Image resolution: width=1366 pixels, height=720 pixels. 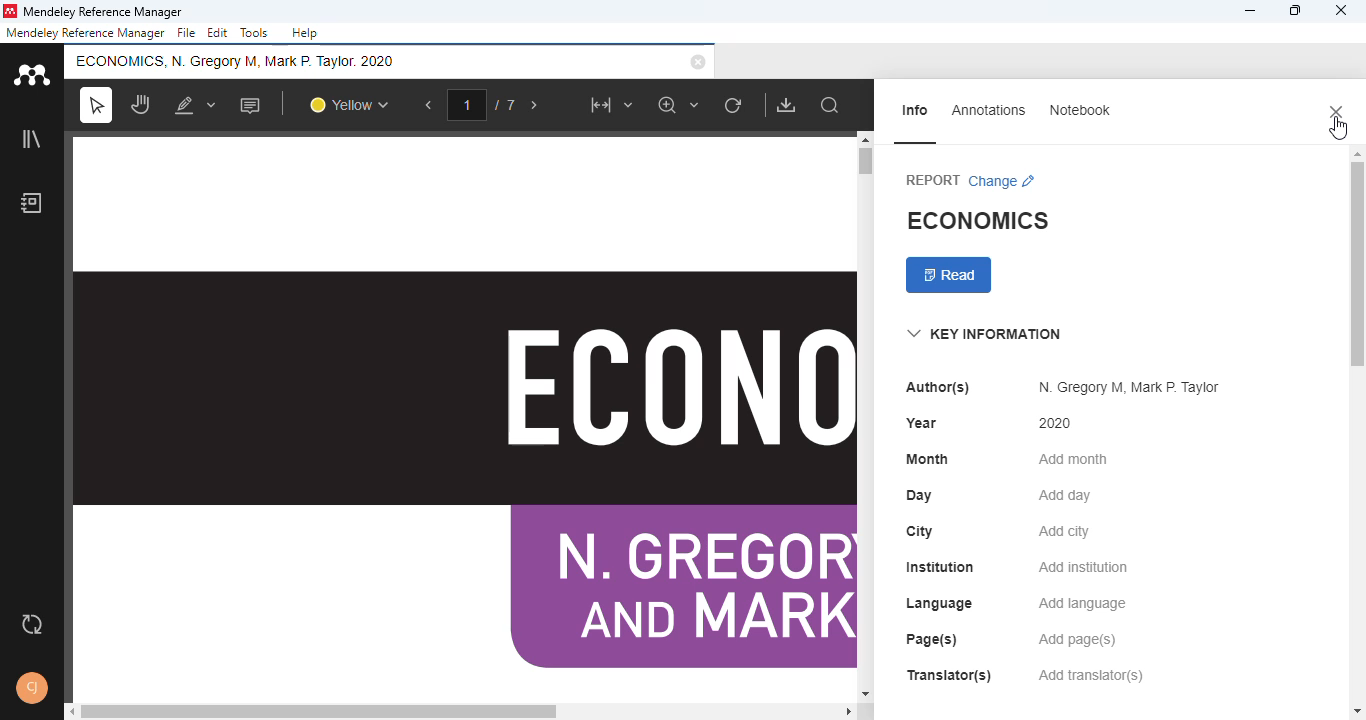 What do you see at coordinates (1355, 264) in the screenshot?
I see `vertical scroll bar` at bounding box center [1355, 264].